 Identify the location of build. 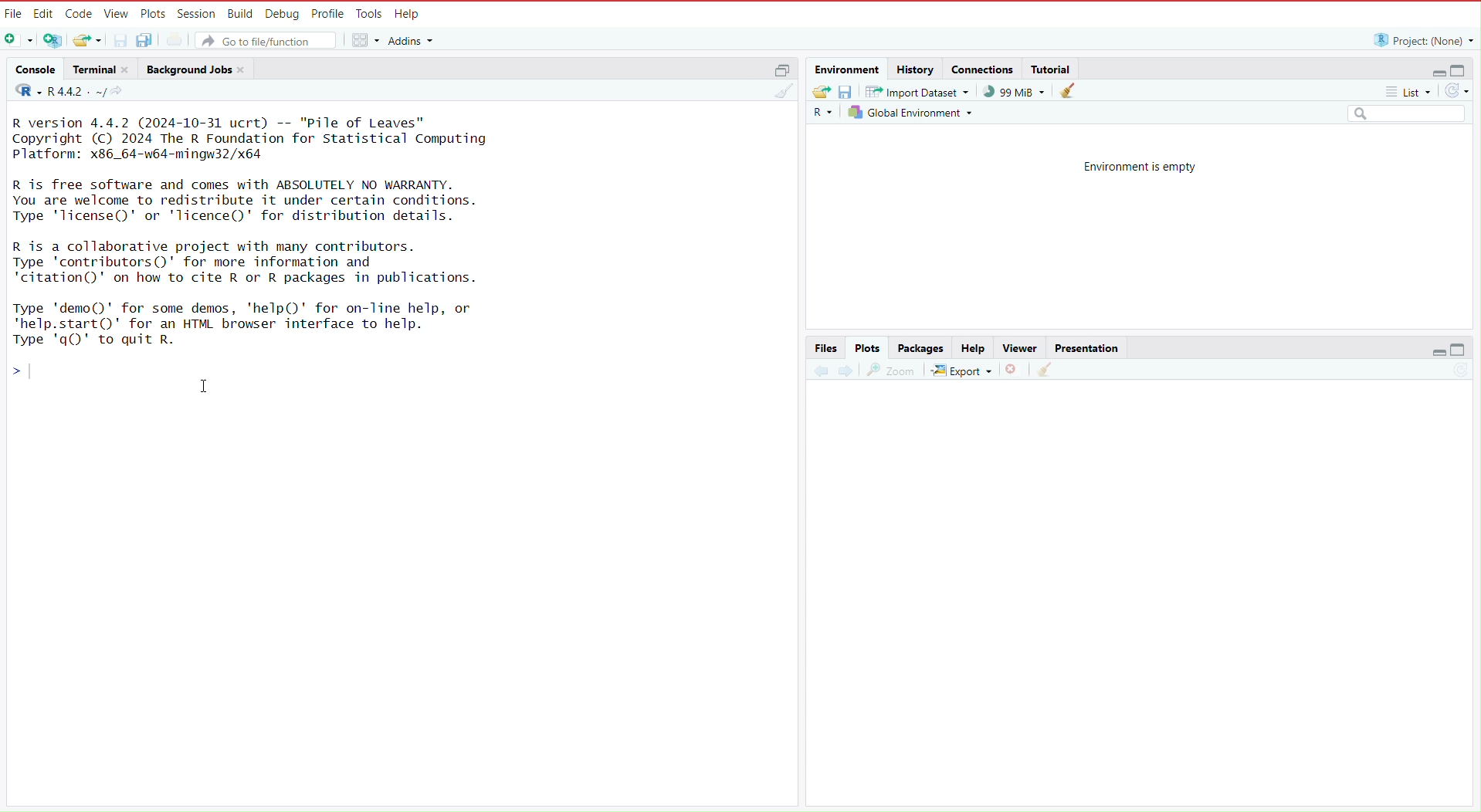
(239, 12).